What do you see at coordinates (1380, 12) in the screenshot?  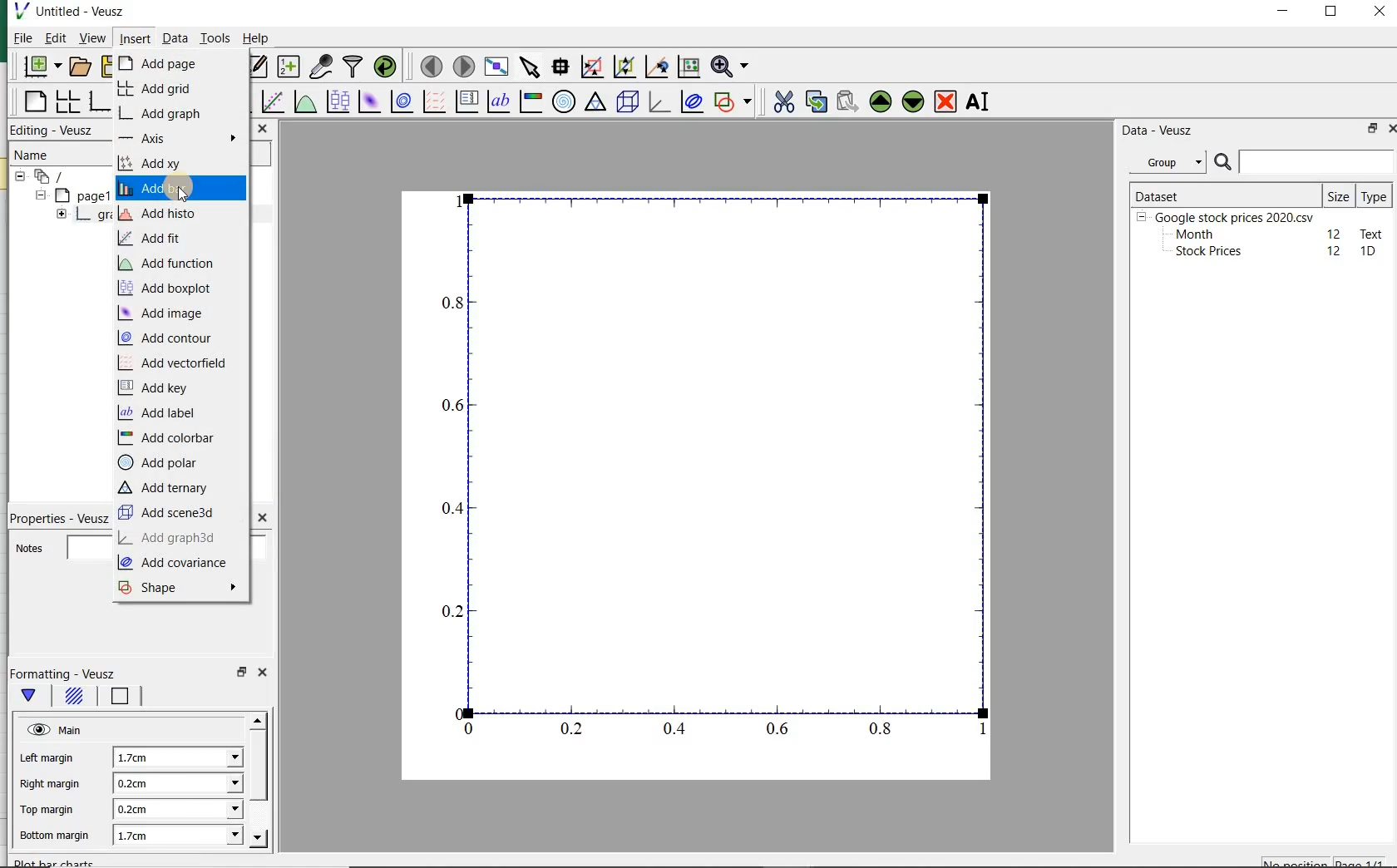 I see `close` at bounding box center [1380, 12].